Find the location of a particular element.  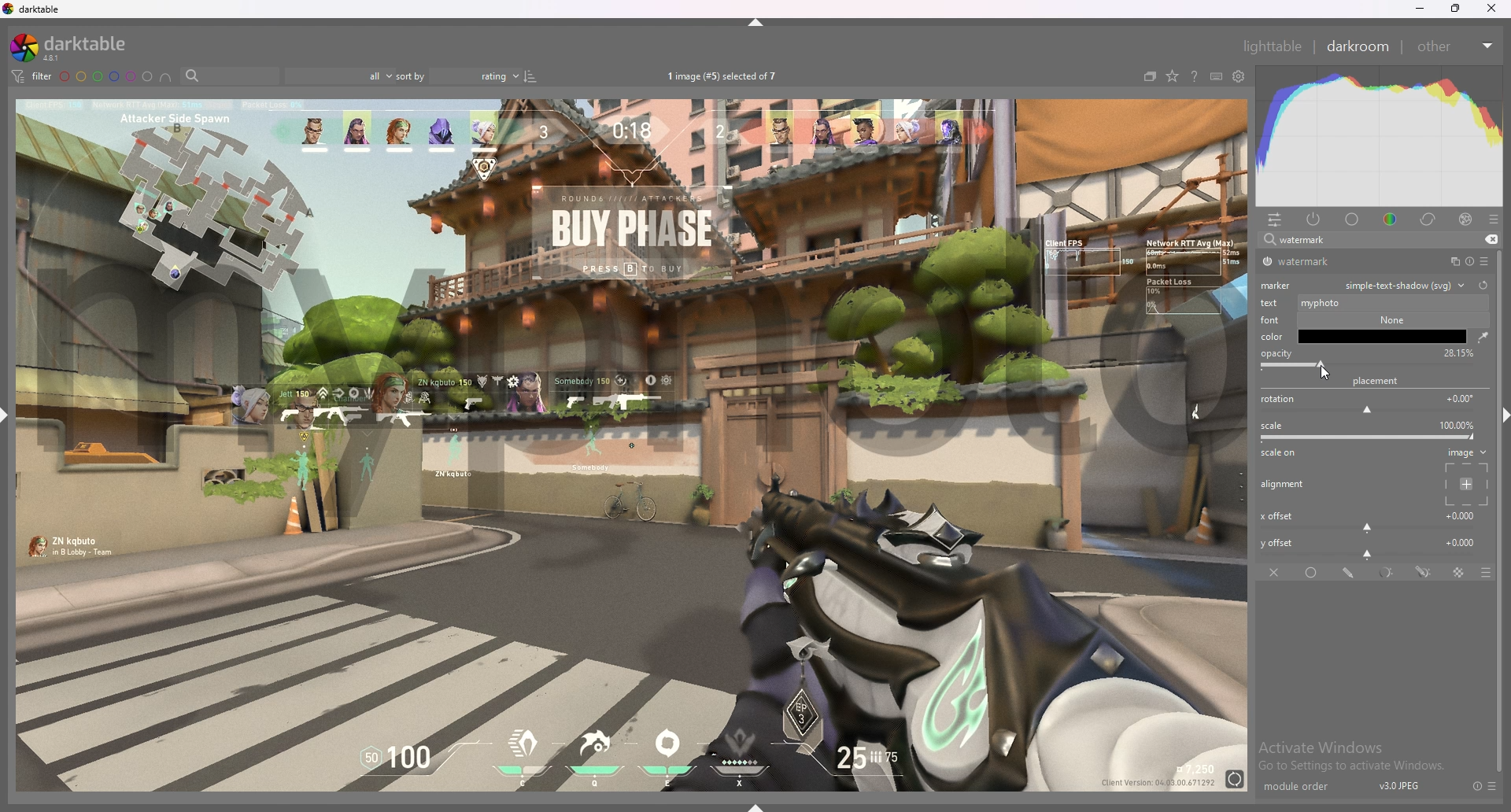

sort by is located at coordinates (456, 76).